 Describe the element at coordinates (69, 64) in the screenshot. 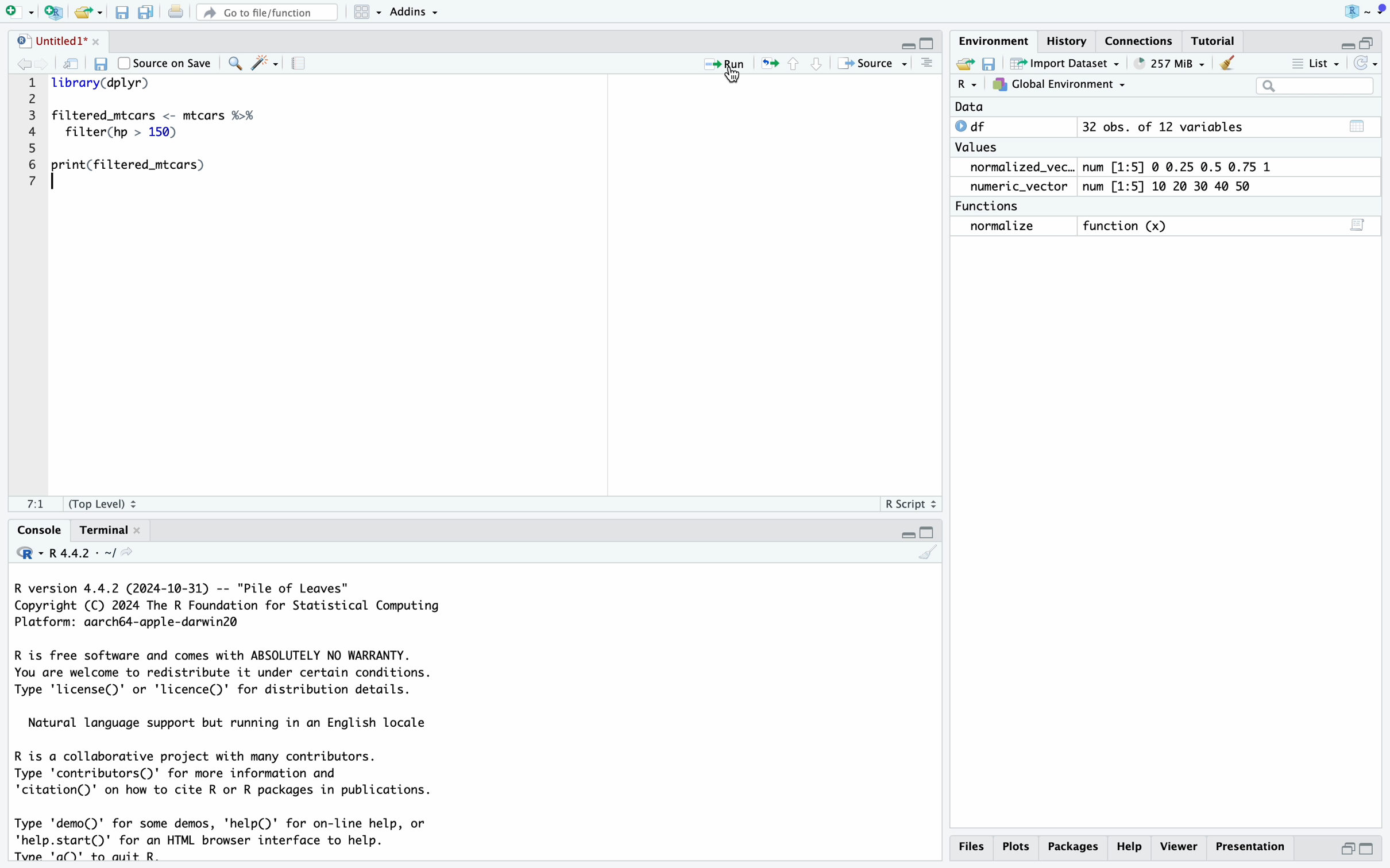

I see `show in new window` at that location.